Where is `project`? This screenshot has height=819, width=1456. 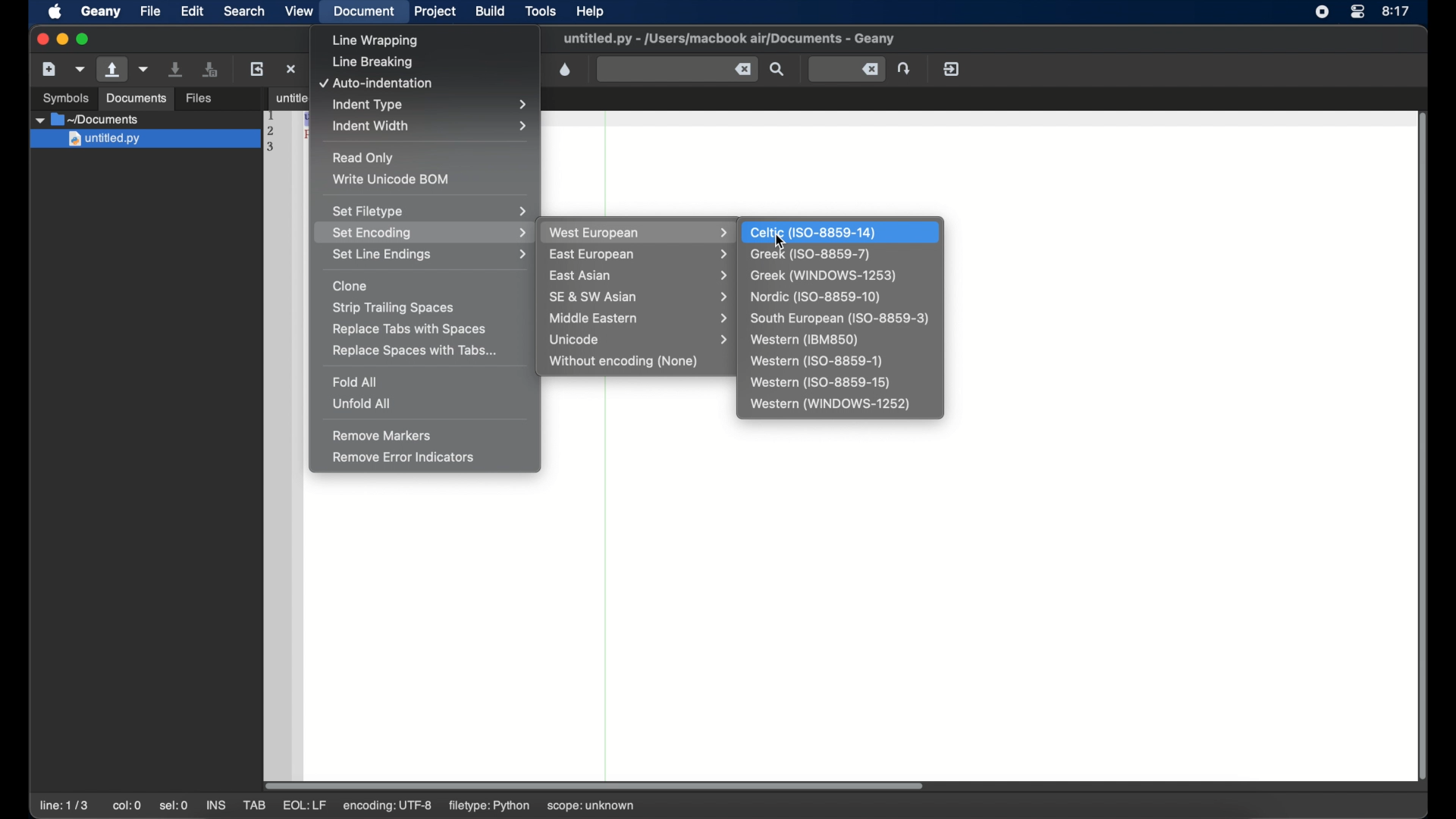 project is located at coordinates (435, 11).